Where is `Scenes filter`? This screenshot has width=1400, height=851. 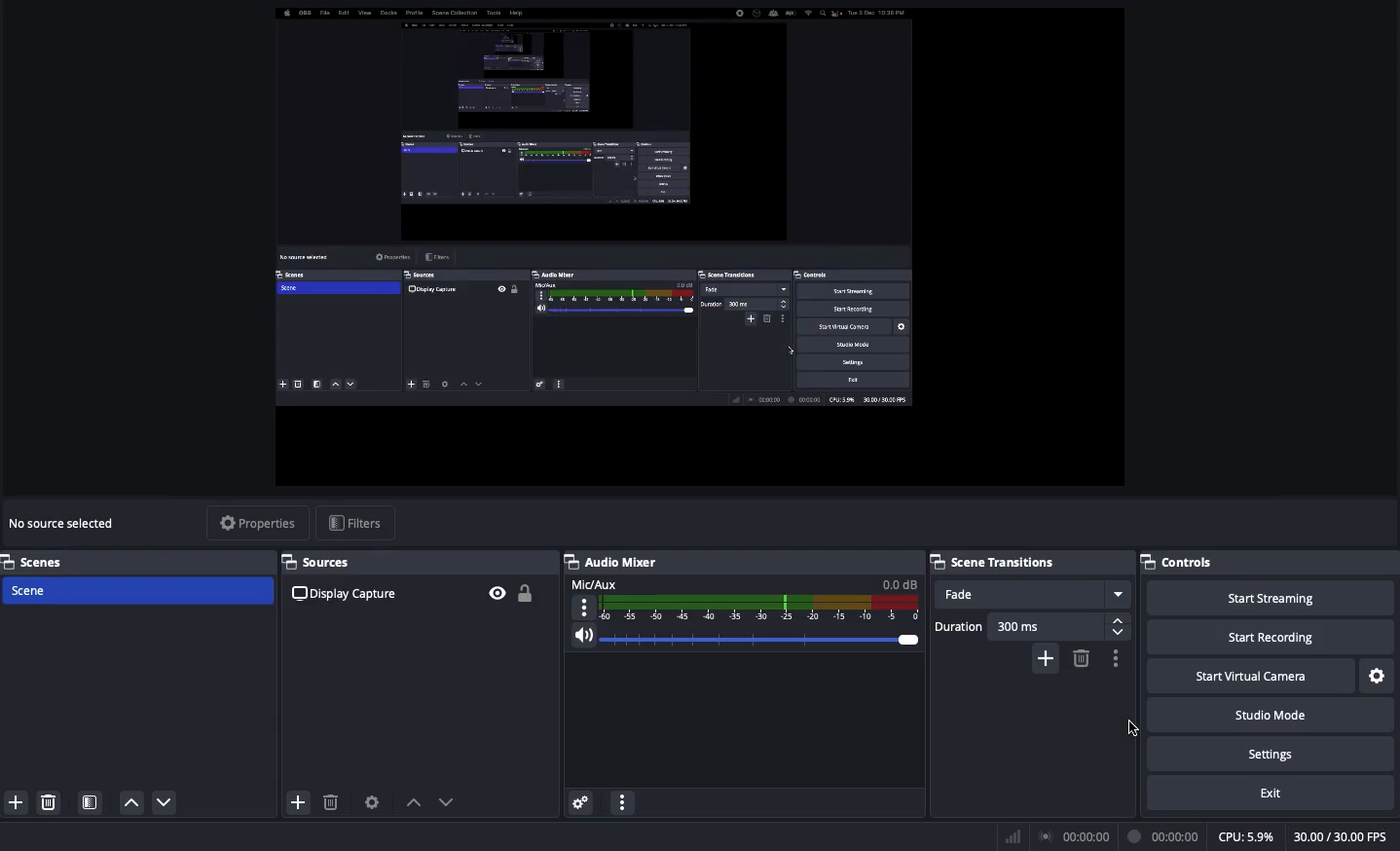 Scenes filter is located at coordinates (91, 802).